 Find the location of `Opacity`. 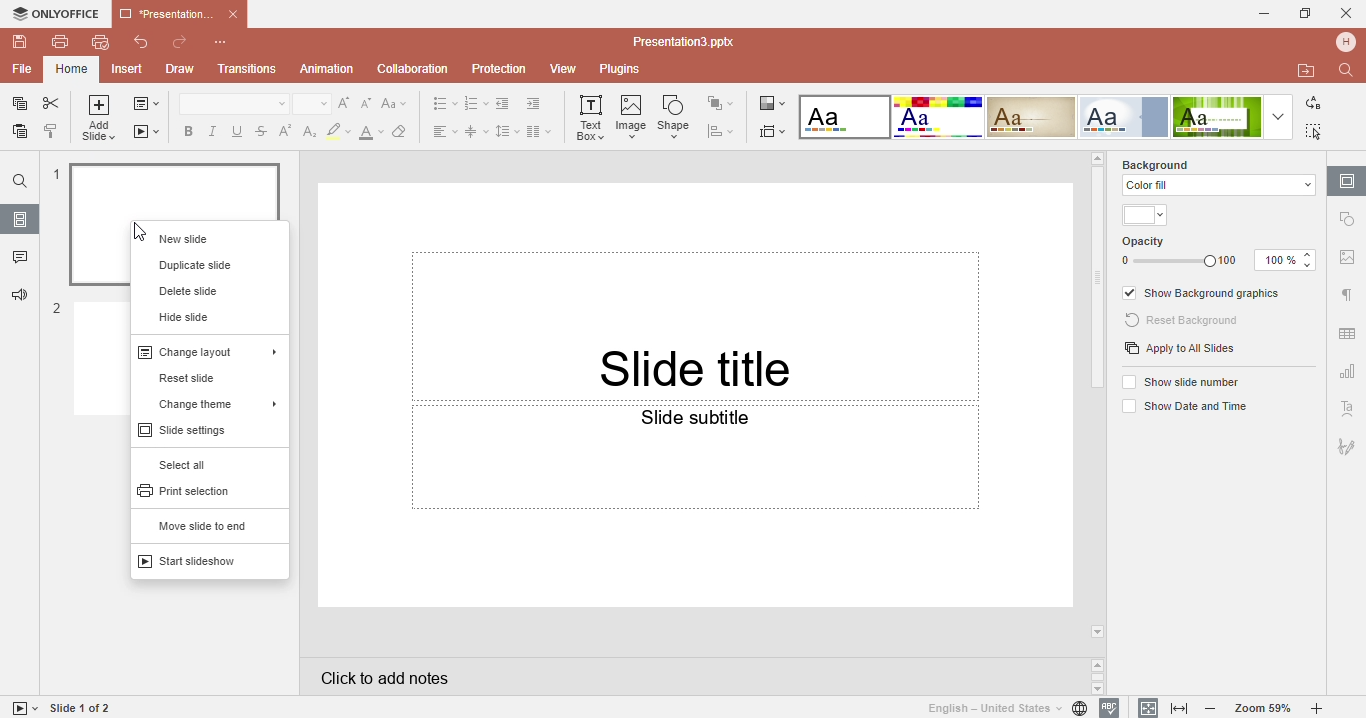

Opacity is located at coordinates (1220, 253).